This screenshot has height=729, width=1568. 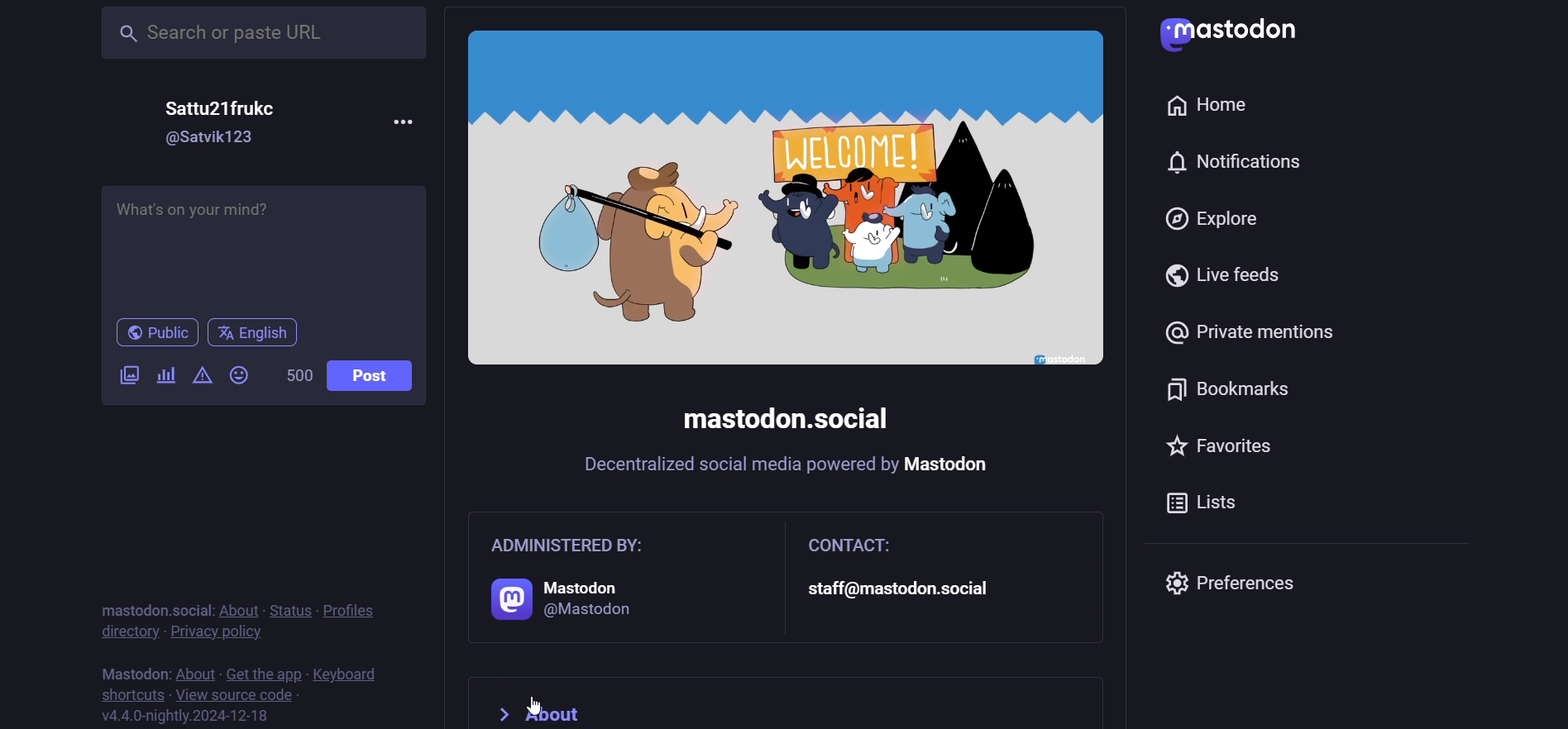 What do you see at coordinates (265, 31) in the screenshot?
I see `search` at bounding box center [265, 31].